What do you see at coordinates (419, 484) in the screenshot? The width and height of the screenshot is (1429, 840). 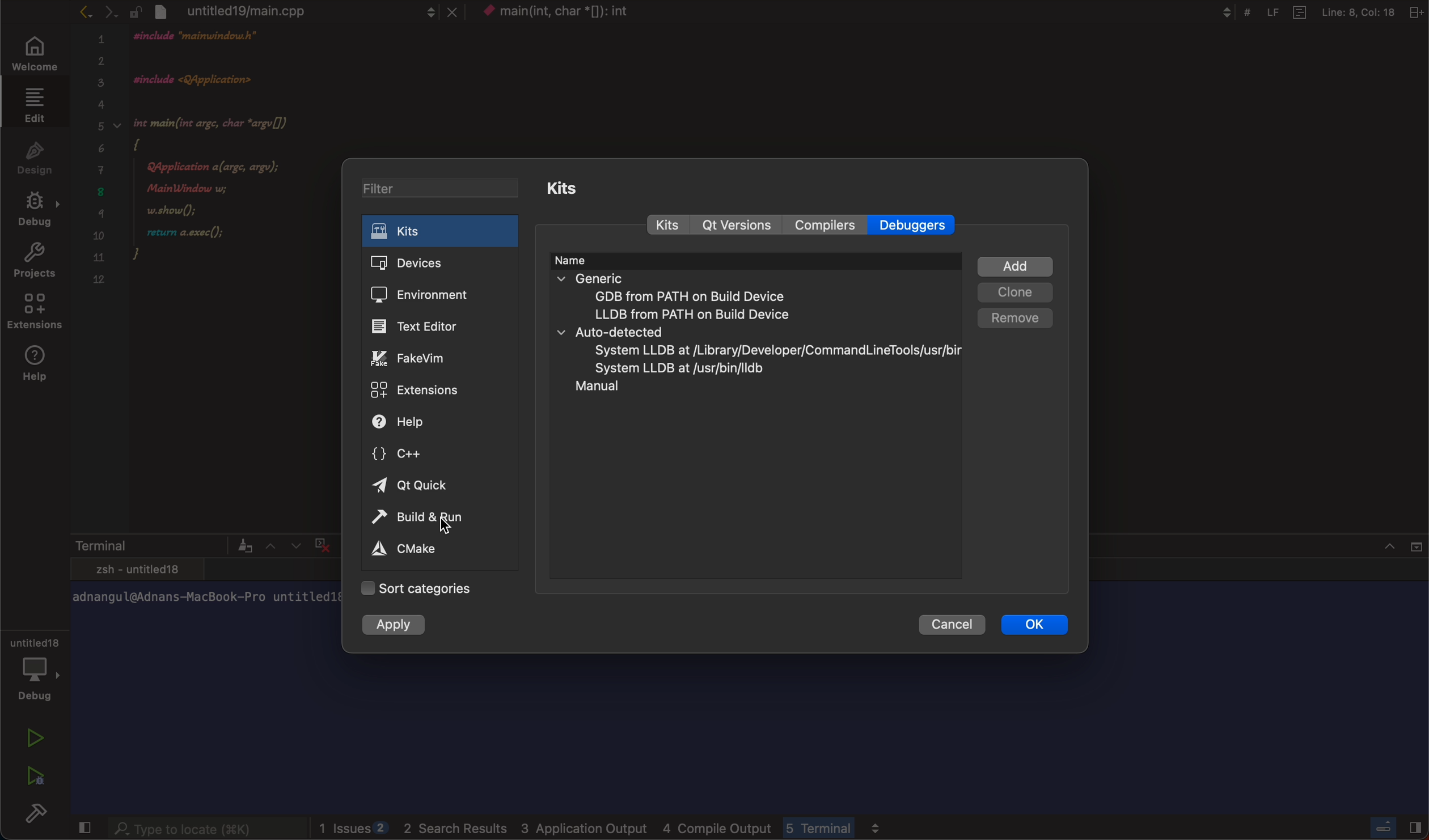 I see `qt quick` at bounding box center [419, 484].